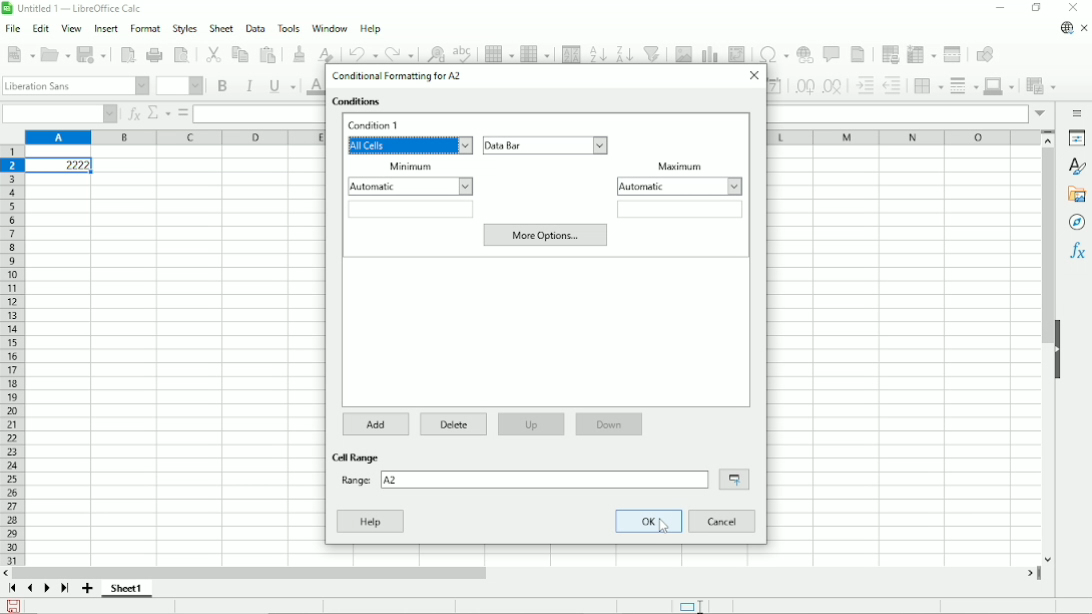  What do you see at coordinates (76, 8) in the screenshot?
I see `Untitled 1 - LibreOffice Calc` at bounding box center [76, 8].